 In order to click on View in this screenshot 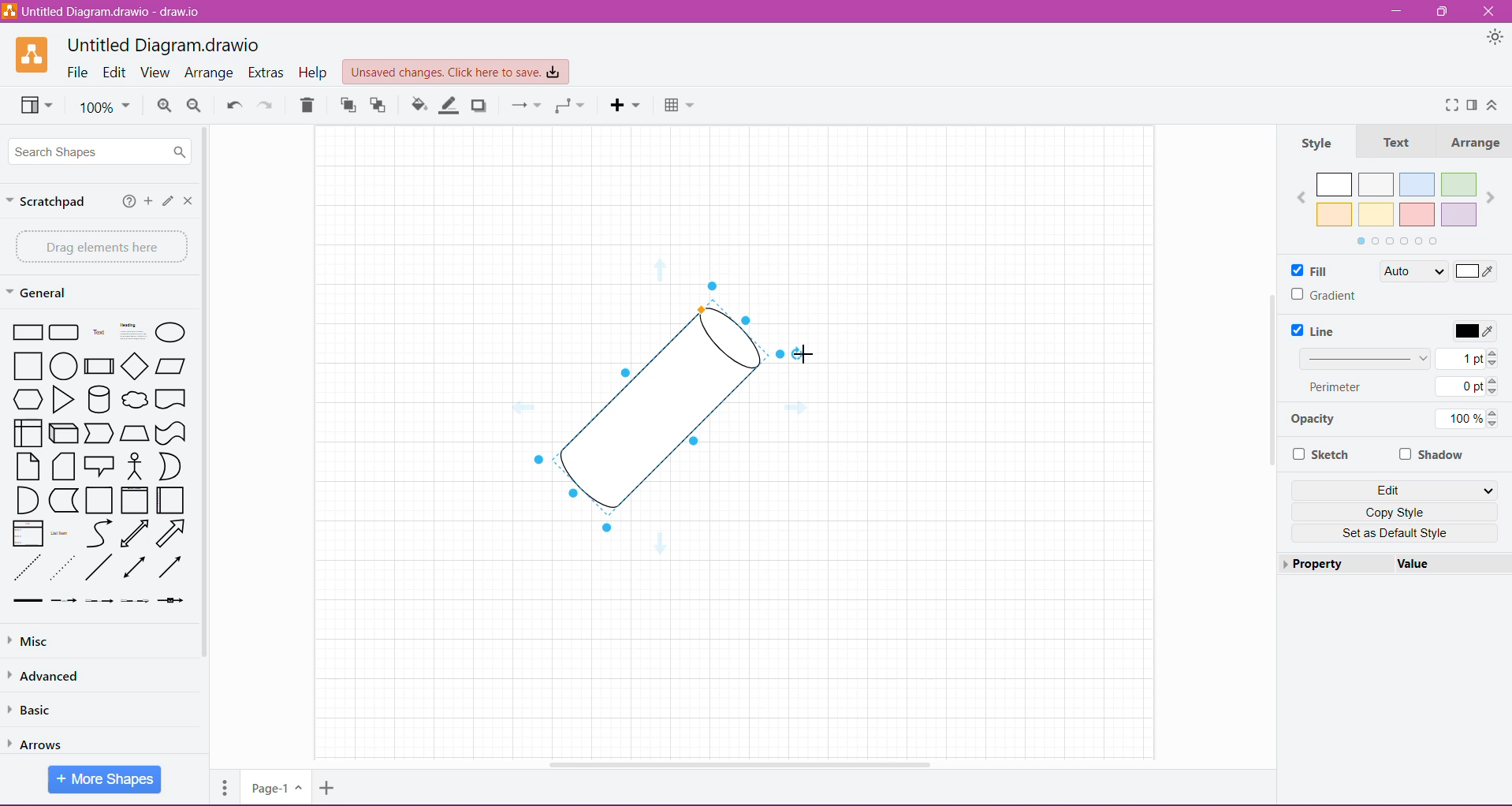, I will do `click(34, 107)`.